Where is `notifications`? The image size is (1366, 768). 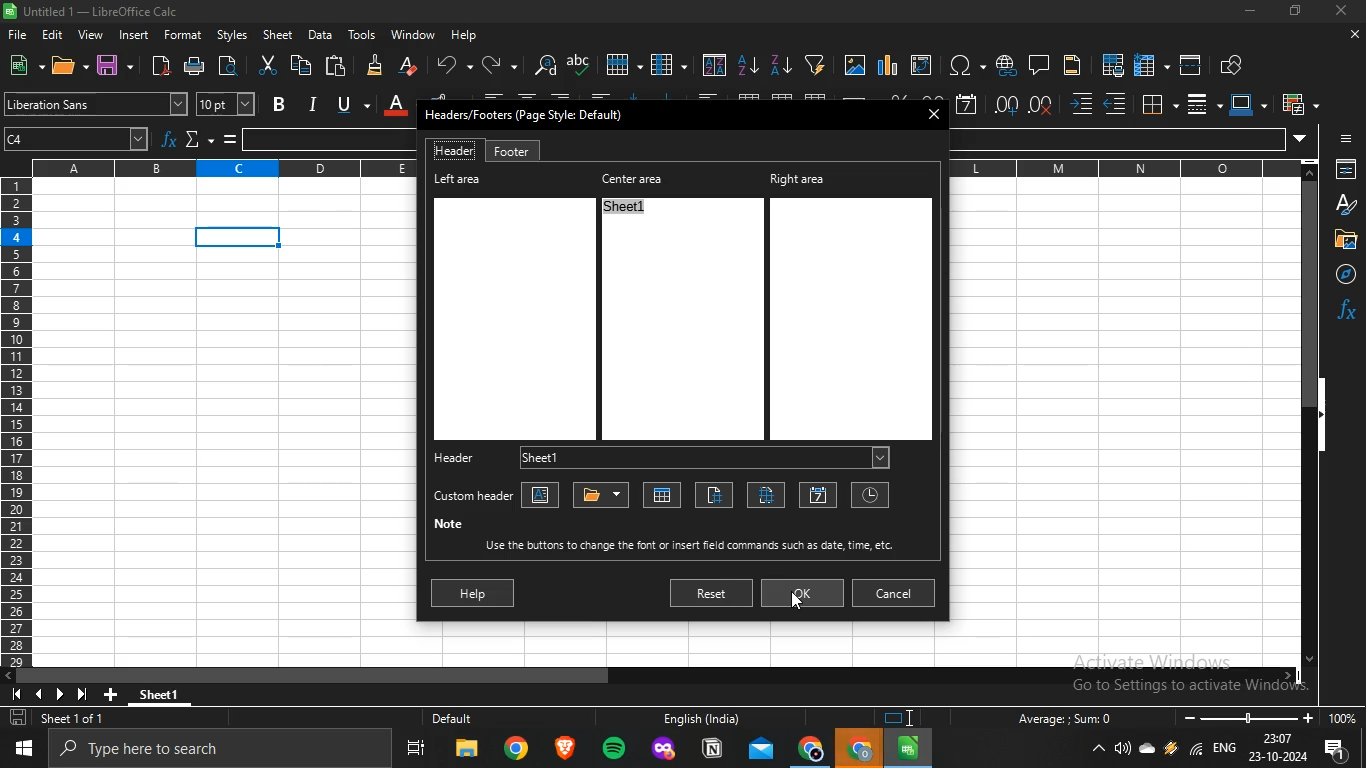 notifications is located at coordinates (1339, 752).